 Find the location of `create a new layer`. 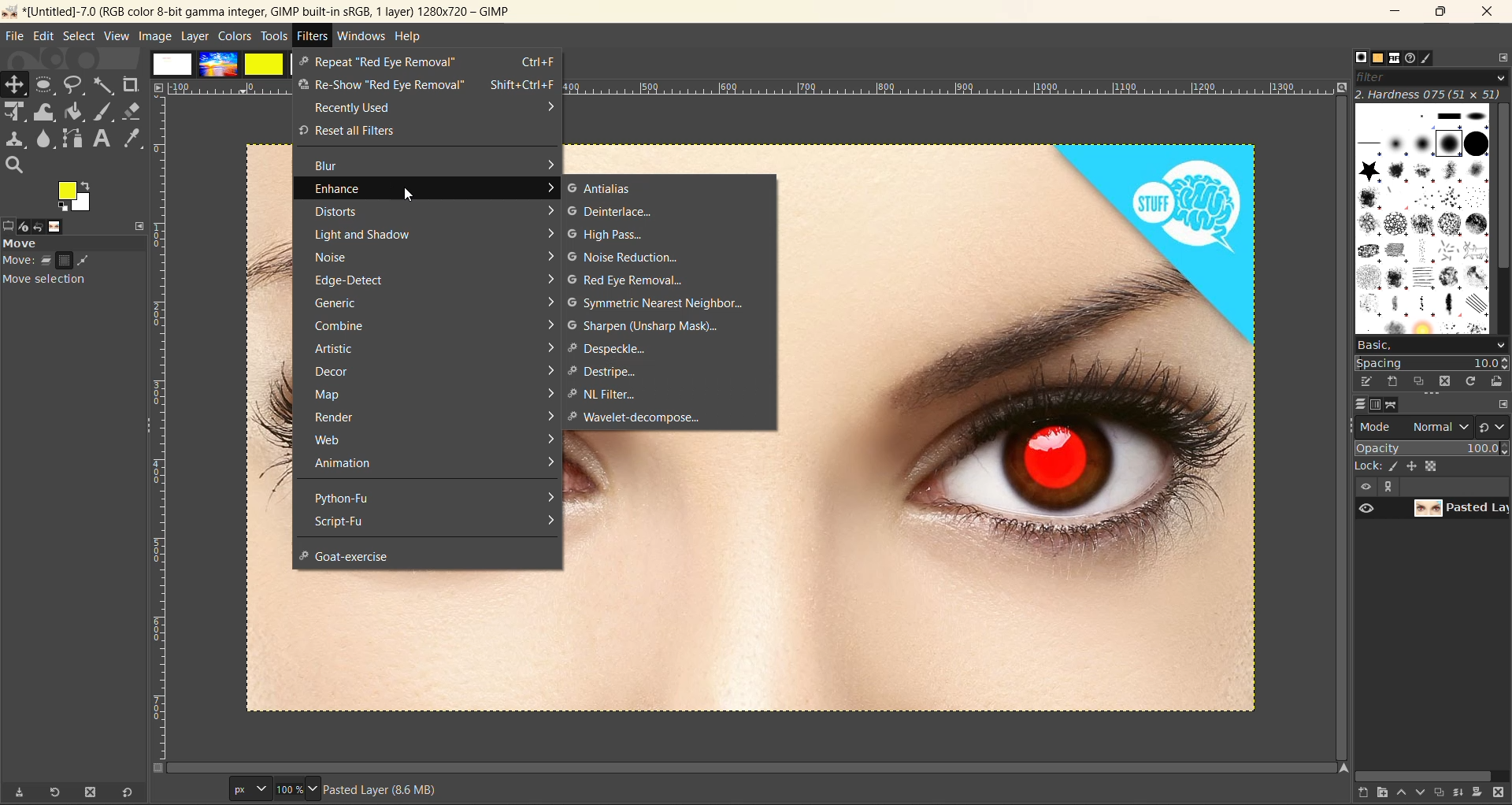

create a new layer is located at coordinates (1355, 794).